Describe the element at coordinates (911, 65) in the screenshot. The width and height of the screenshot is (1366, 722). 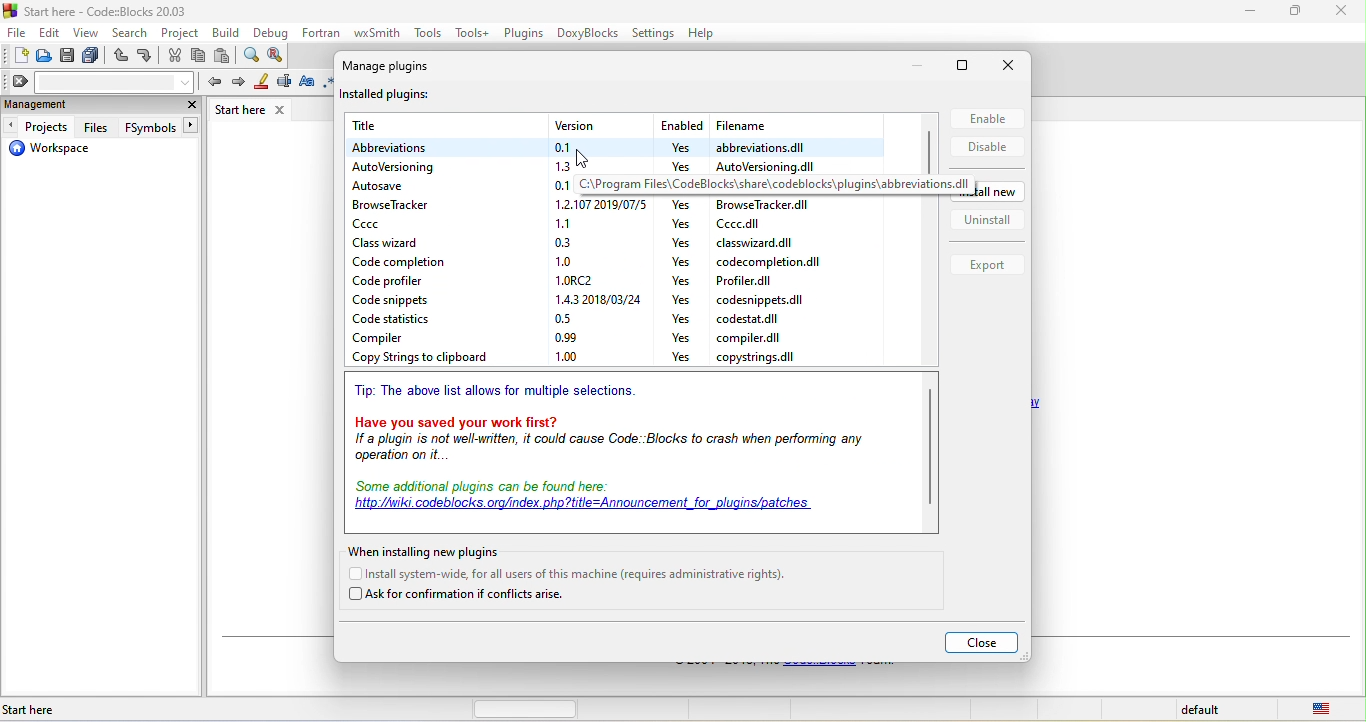
I see `minimize` at that location.